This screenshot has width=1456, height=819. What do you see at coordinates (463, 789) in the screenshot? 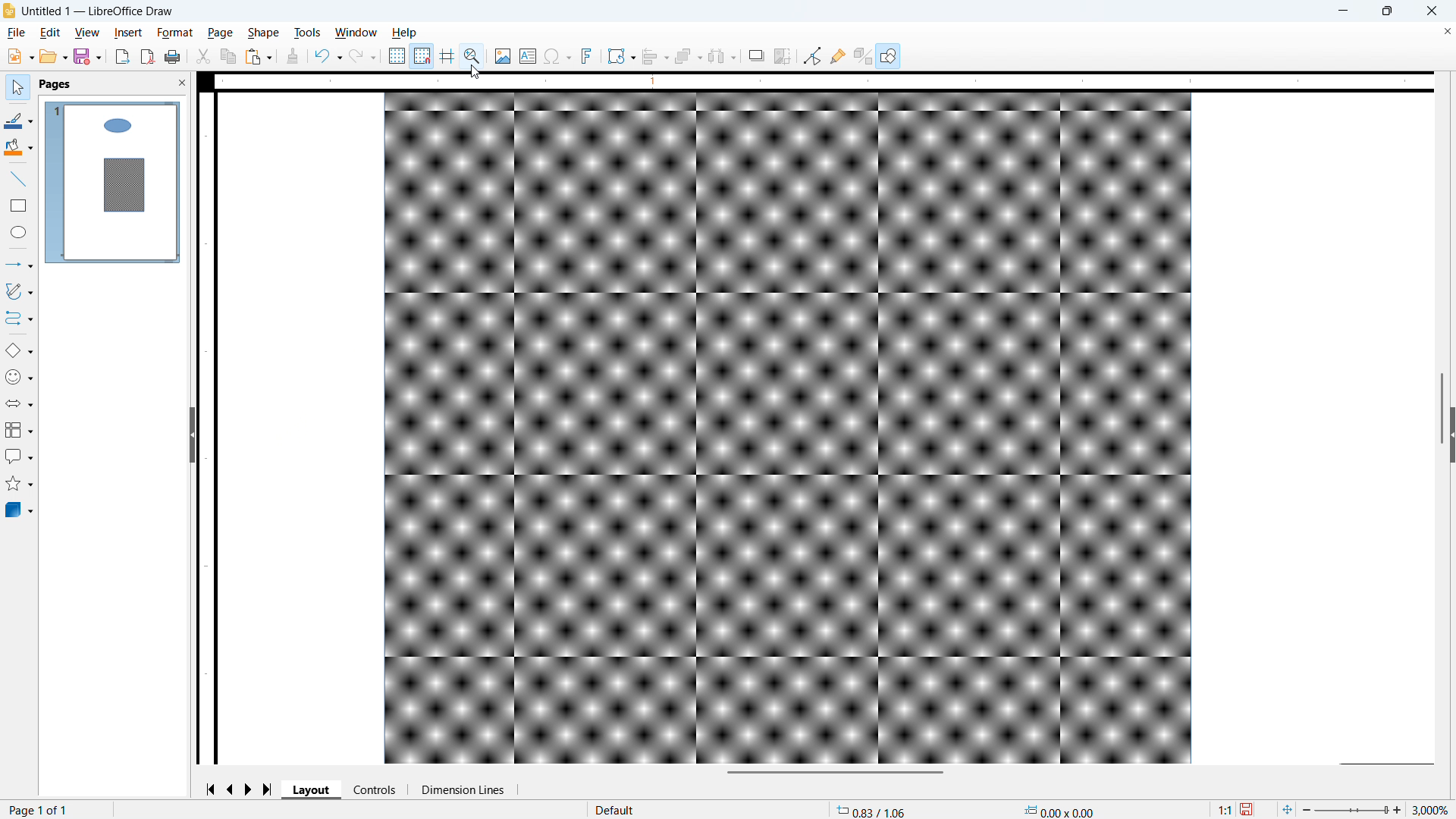
I see `Dimension lines ` at bounding box center [463, 789].